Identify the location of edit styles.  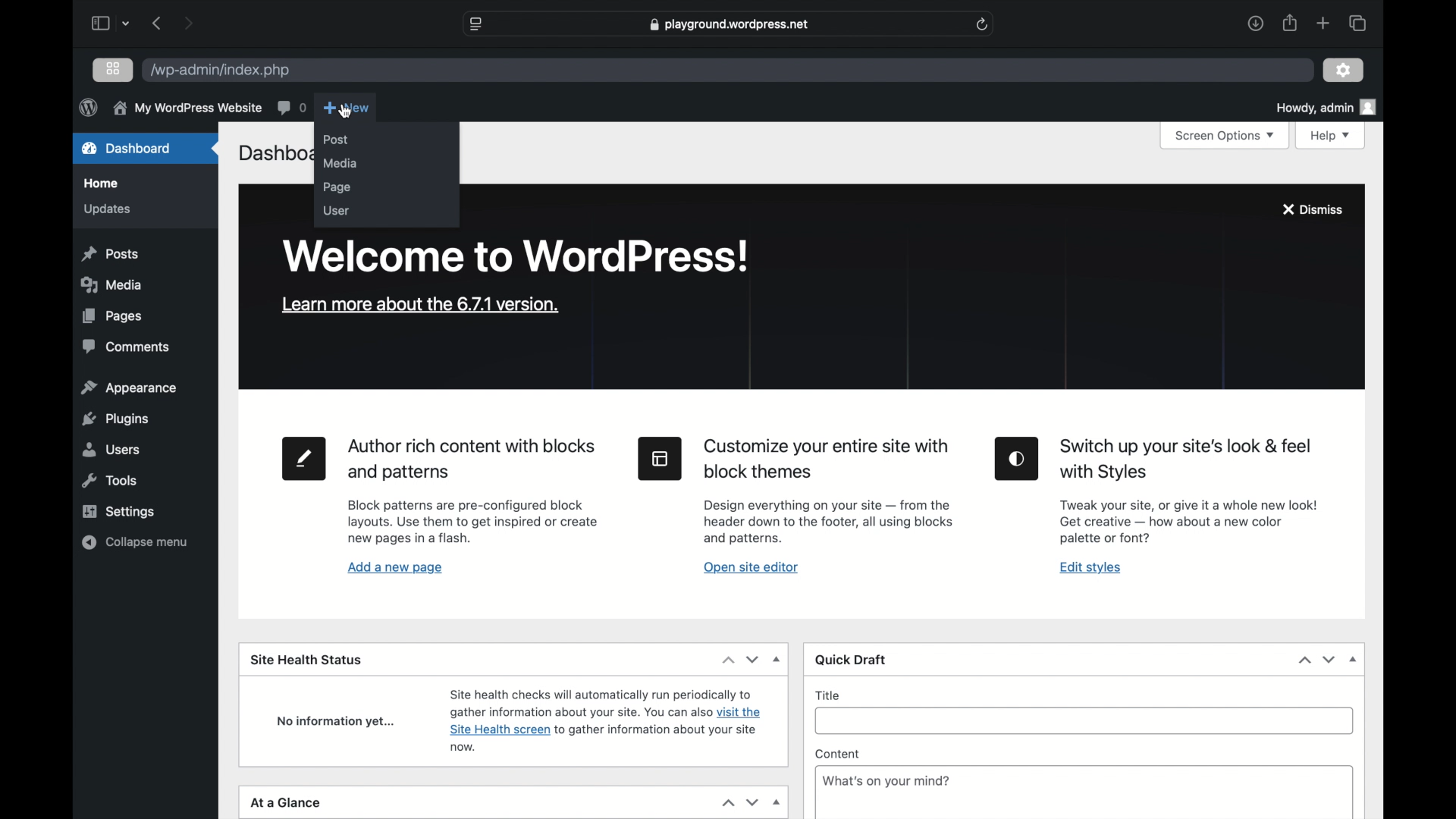
(1091, 567).